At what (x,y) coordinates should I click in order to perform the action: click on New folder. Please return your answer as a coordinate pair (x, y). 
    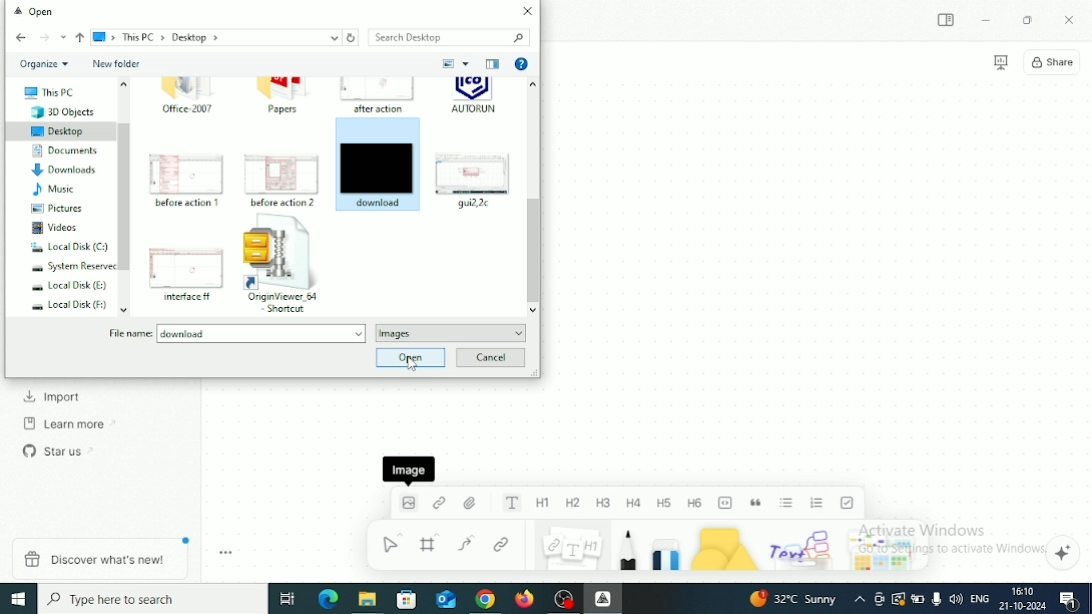
    Looking at the image, I should click on (117, 64).